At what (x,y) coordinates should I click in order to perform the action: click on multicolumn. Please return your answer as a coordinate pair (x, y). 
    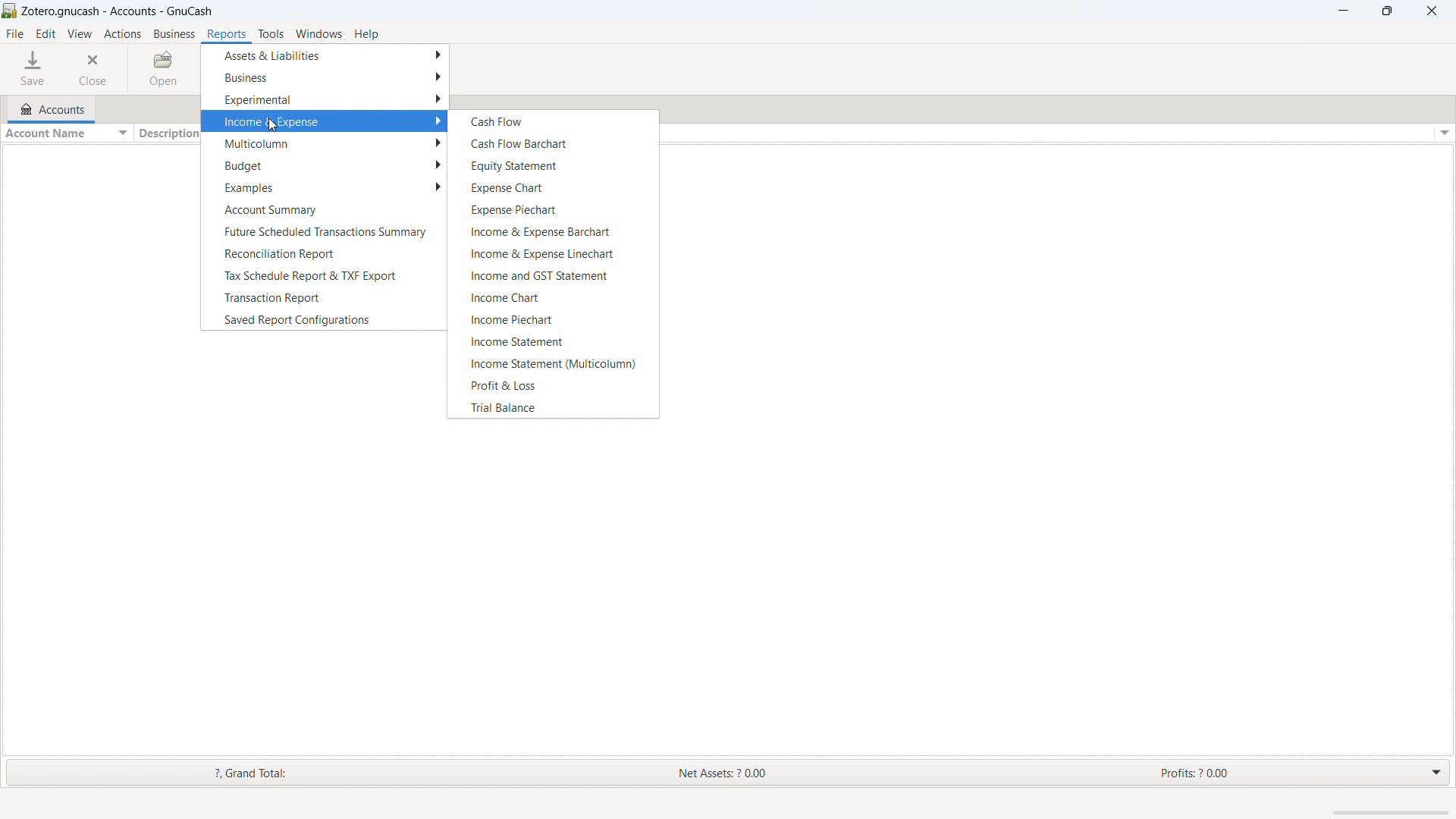
    Looking at the image, I should click on (324, 143).